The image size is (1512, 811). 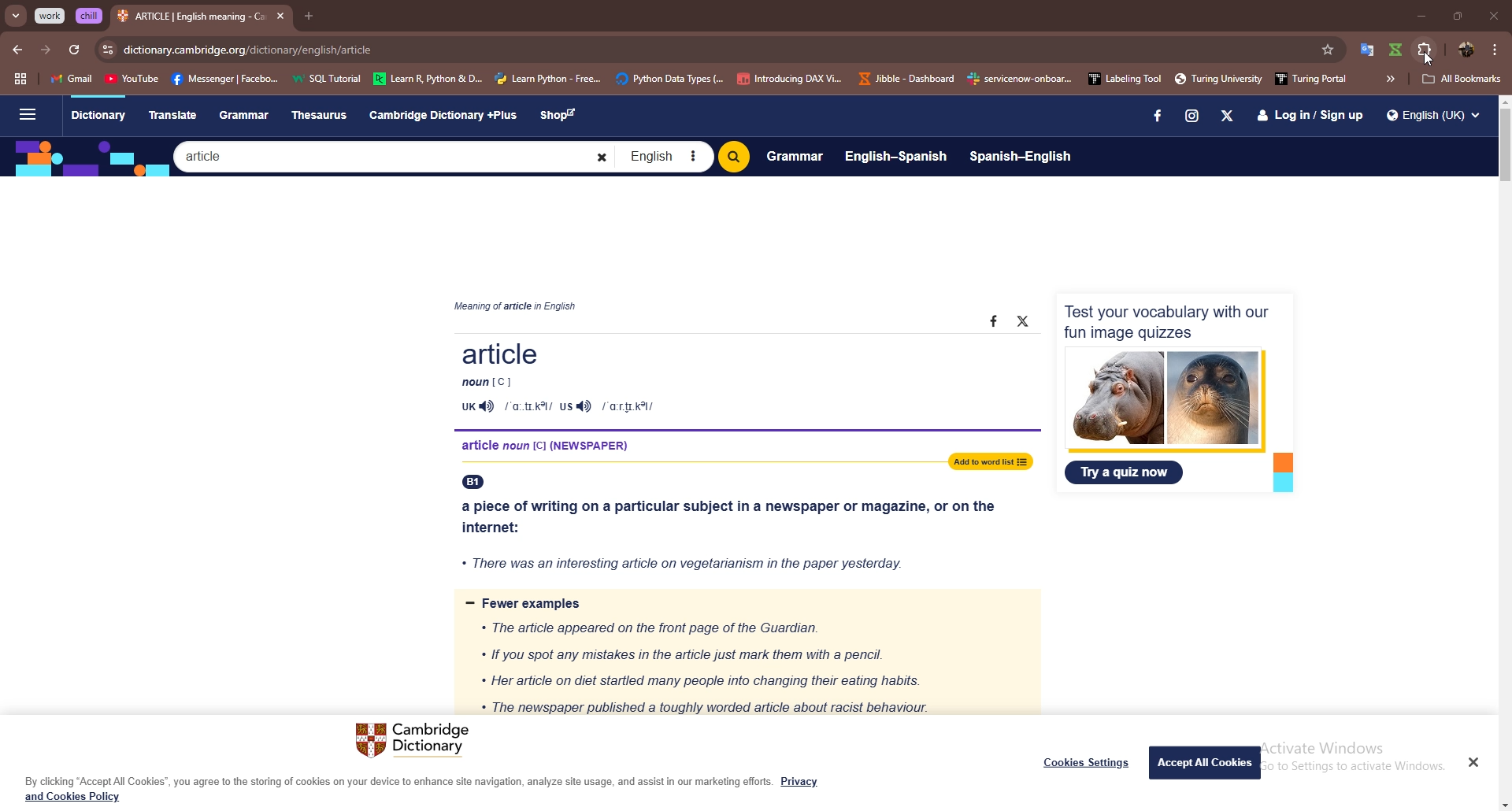 What do you see at coordinates (795, 155) in the screenshot?
I see `Grammar` at bounding box center [795, 155].